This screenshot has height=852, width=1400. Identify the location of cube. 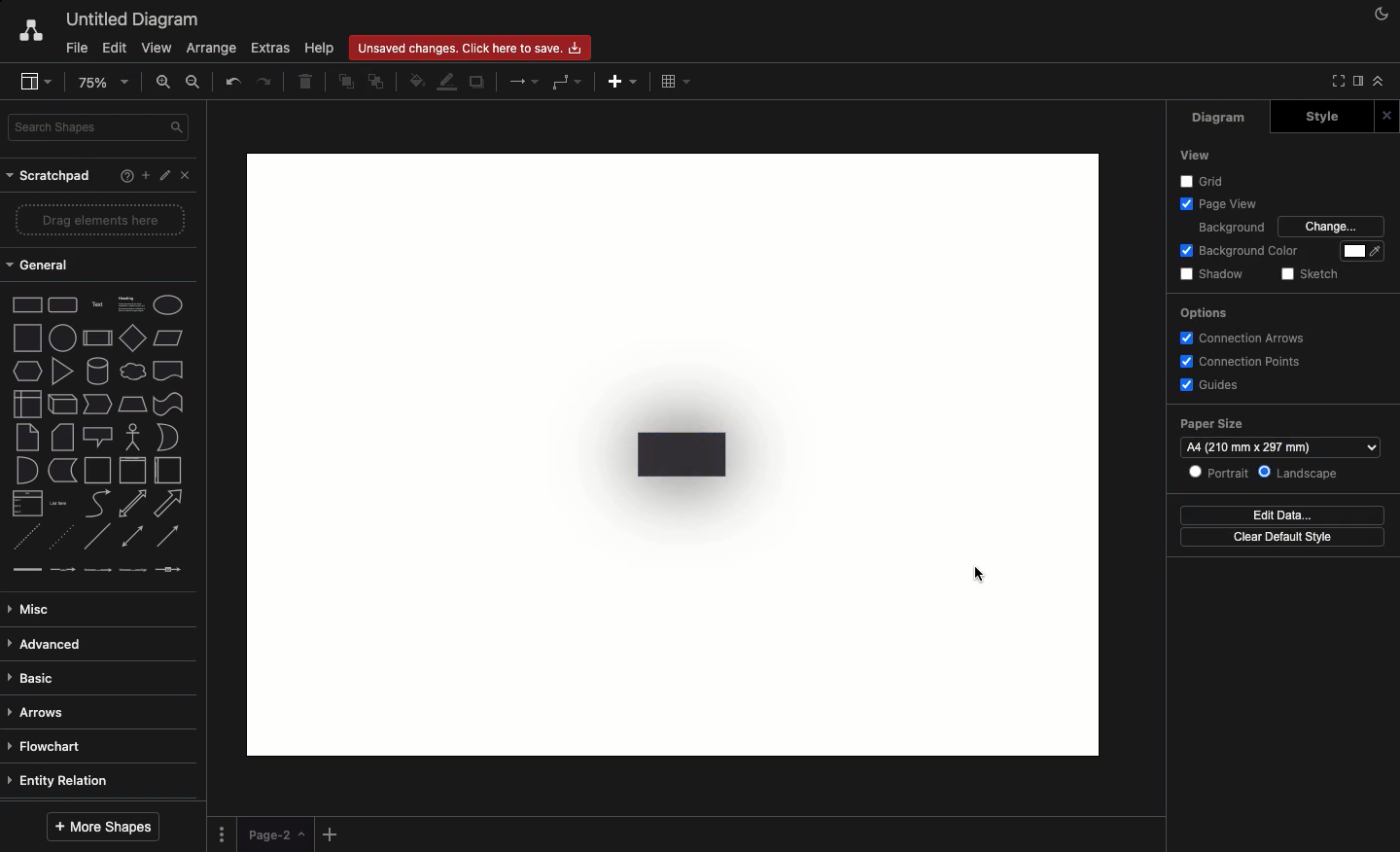
(59, 403).